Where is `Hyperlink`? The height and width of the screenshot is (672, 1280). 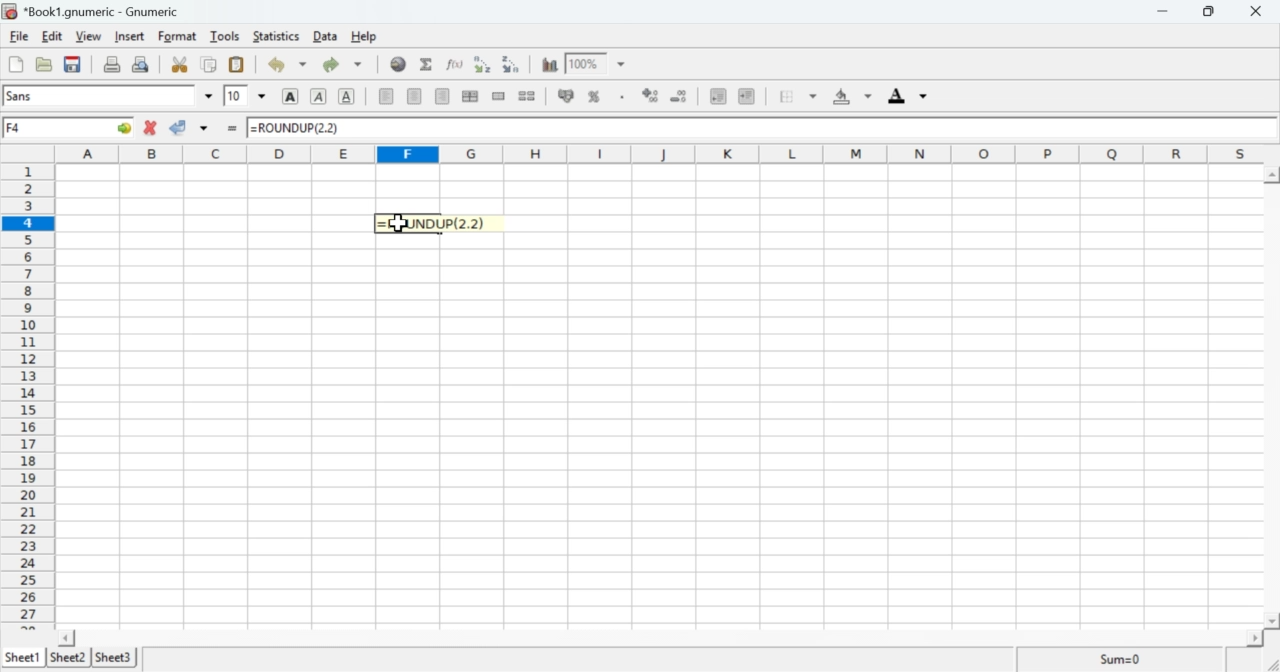 Hyperlink is located at coordinates (398, 67).